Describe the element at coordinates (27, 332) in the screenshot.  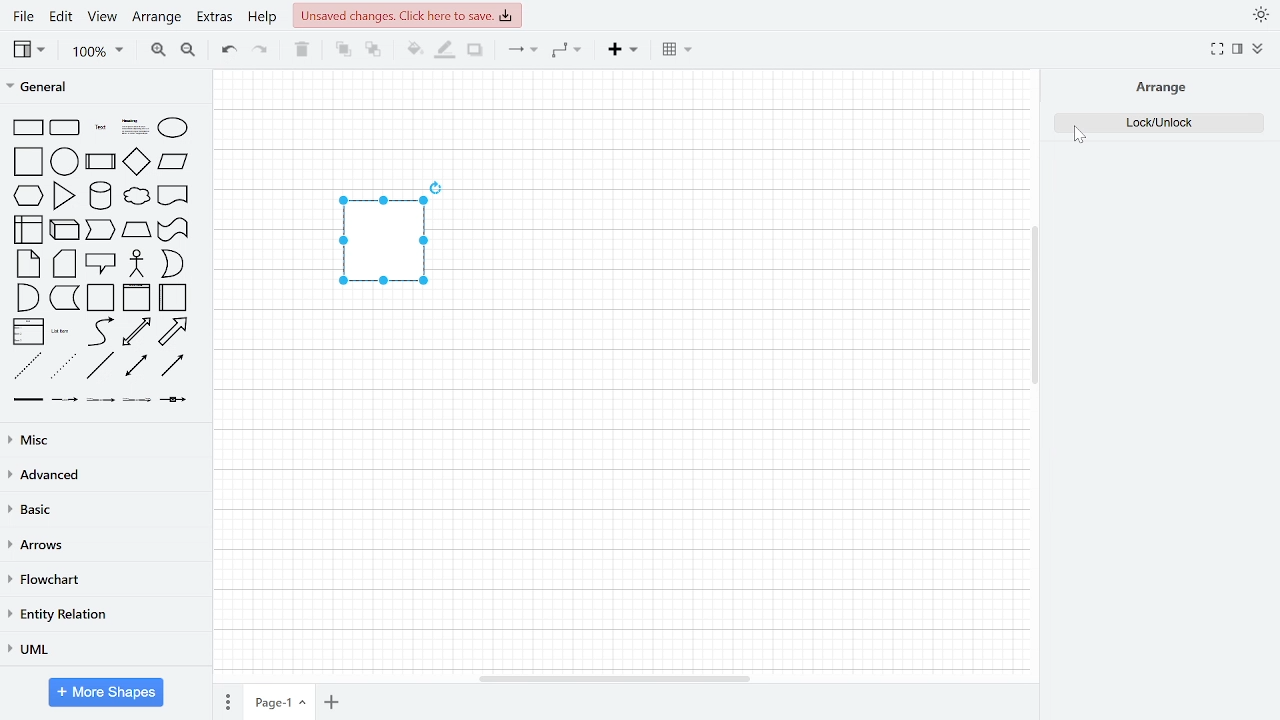
I see `list` at that location.